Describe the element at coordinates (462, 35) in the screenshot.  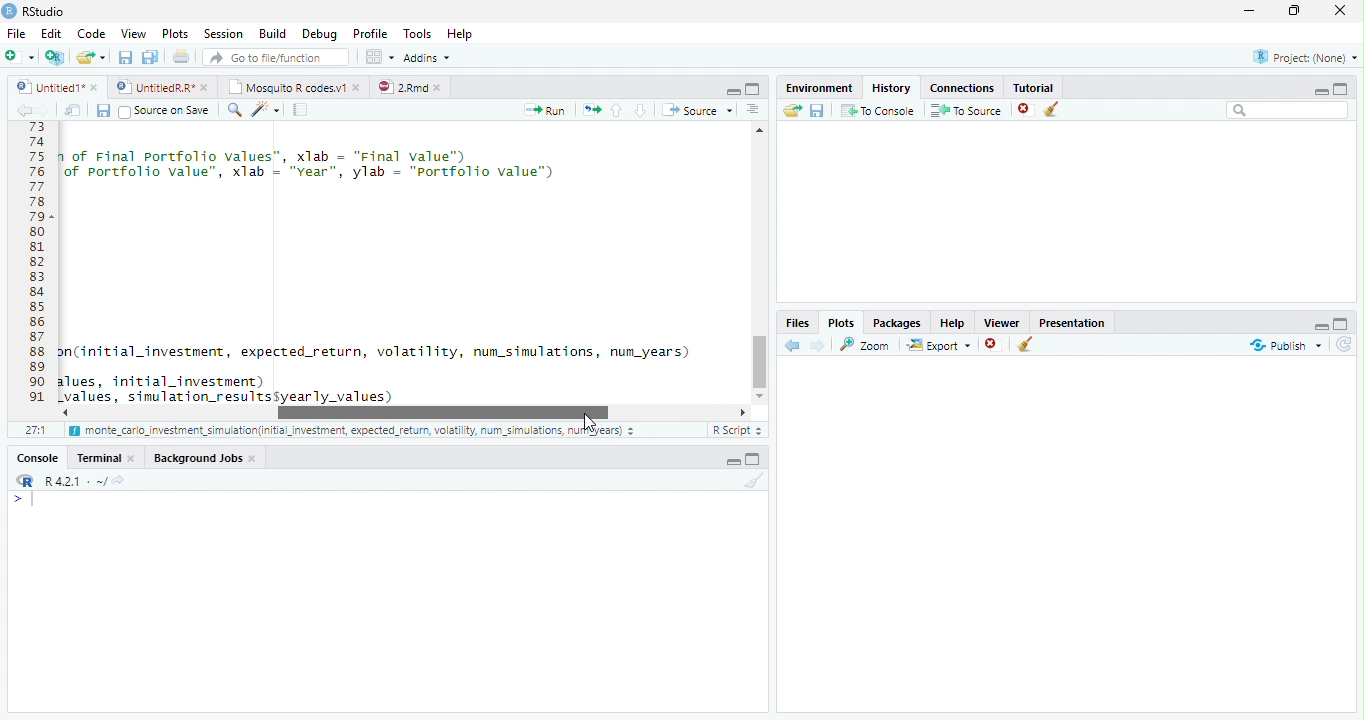
I see `Help` at that location.